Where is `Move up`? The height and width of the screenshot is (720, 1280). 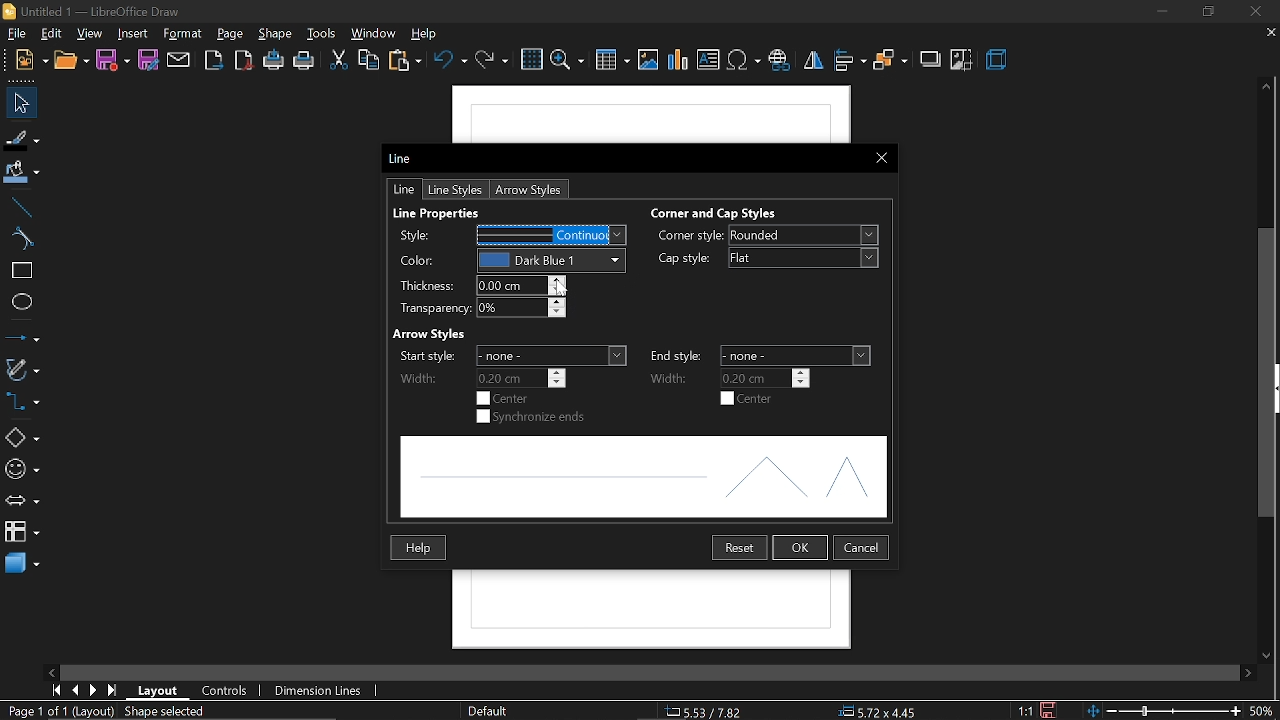 Move up is located at coordinates (1267, 85).